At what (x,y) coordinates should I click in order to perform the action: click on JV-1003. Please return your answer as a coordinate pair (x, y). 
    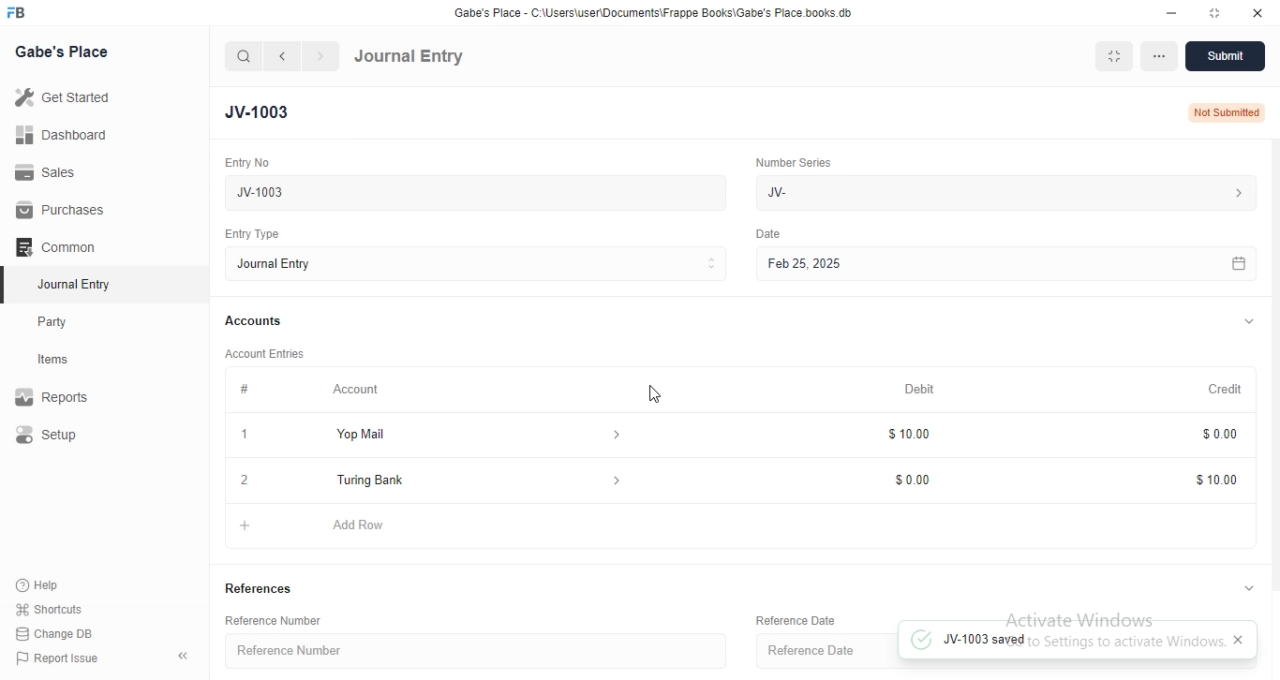
    Looking at the image, I should click on (266, 111).